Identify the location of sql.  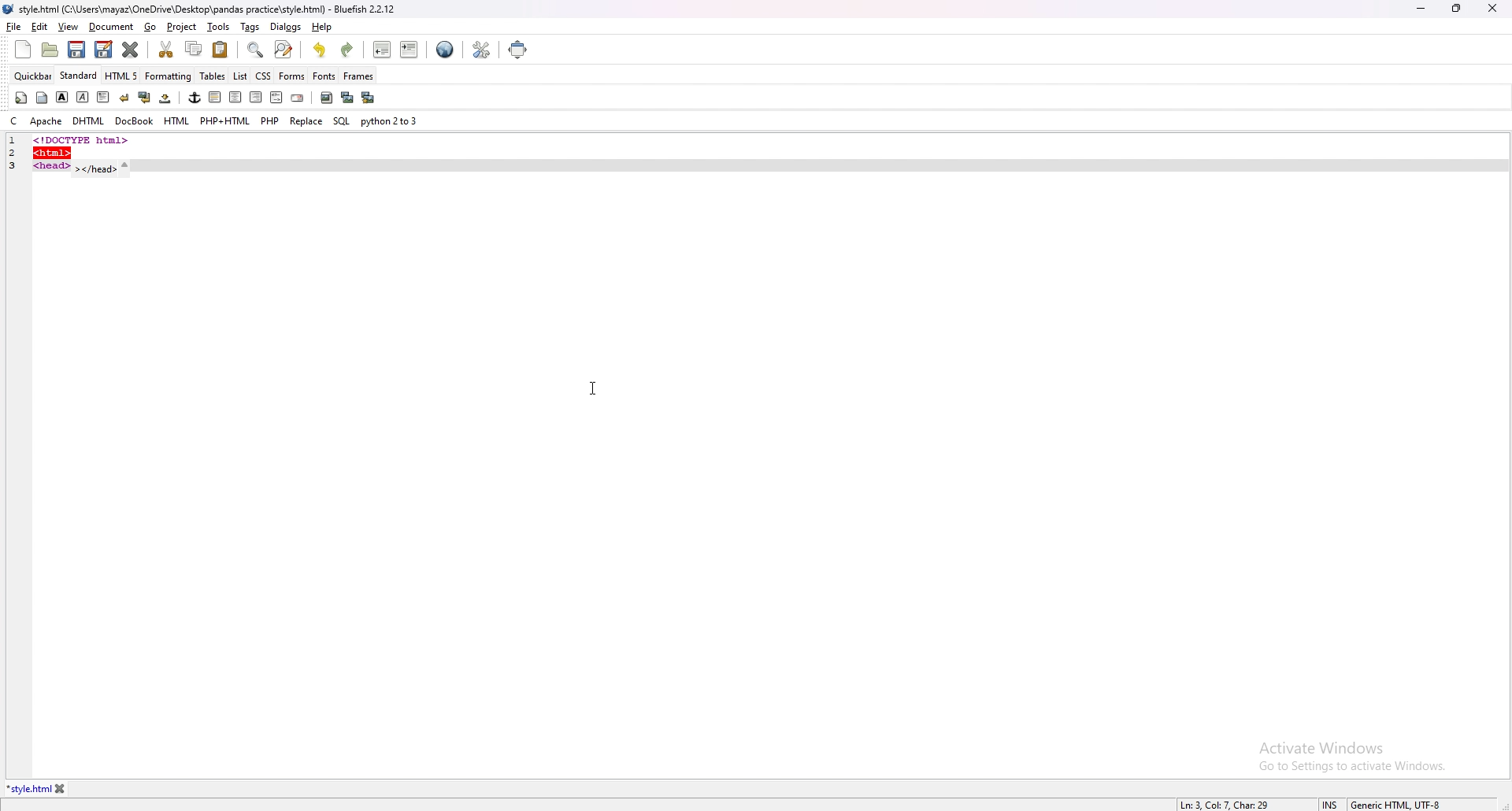
(341, 120).